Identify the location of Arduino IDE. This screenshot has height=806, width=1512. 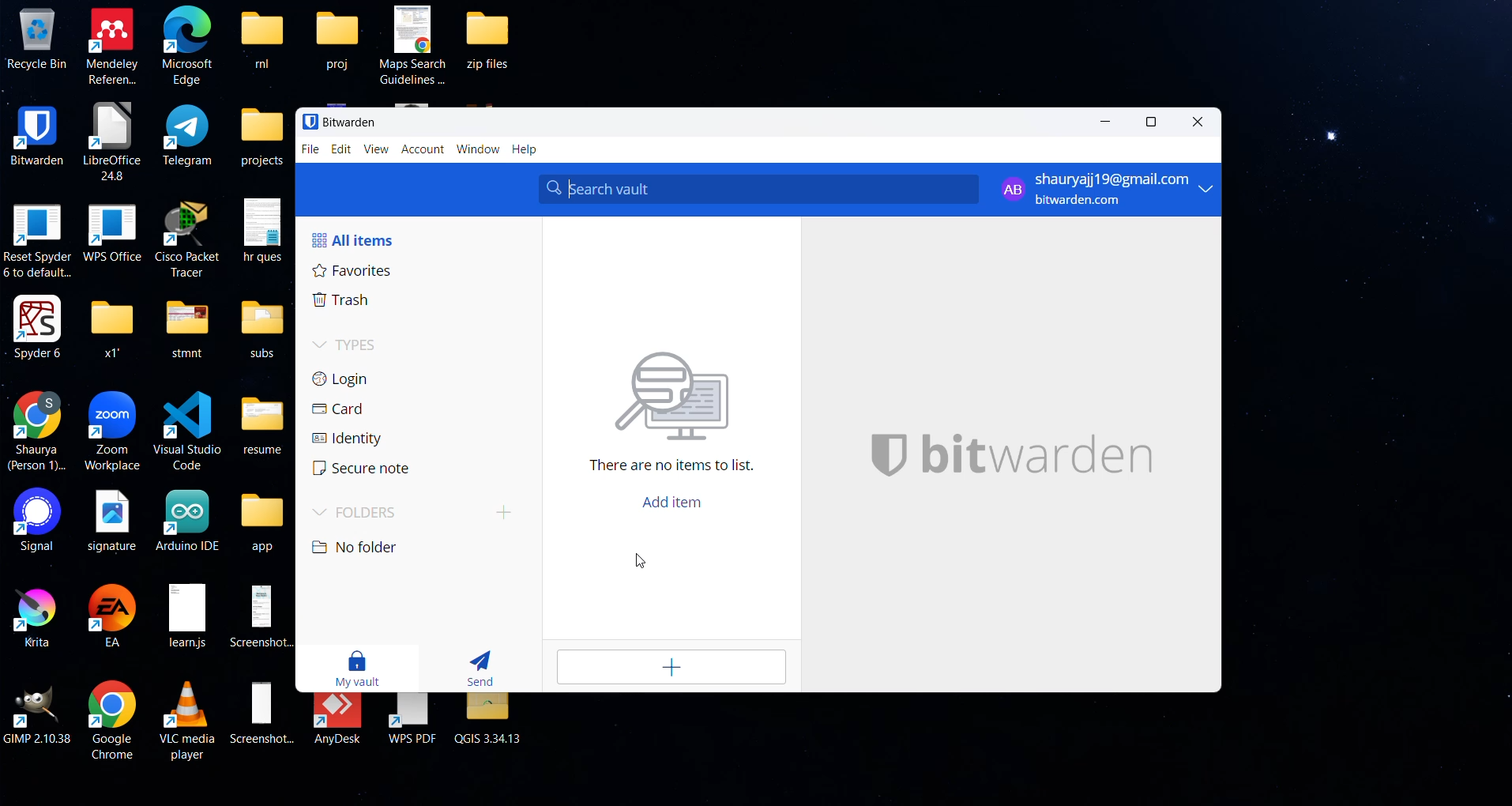
(188, 519).